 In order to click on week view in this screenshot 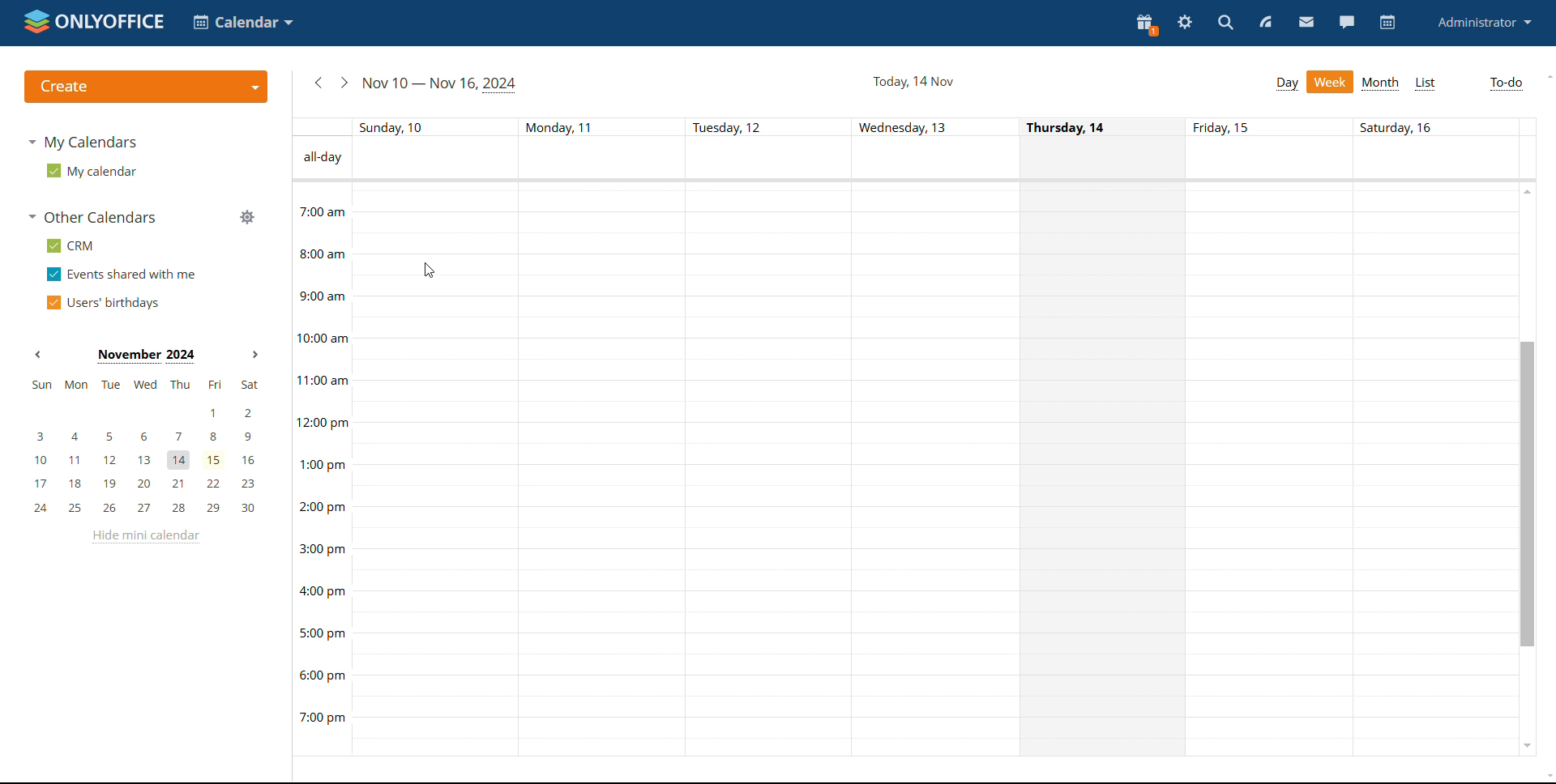, I will do `click(1332, 82)`.